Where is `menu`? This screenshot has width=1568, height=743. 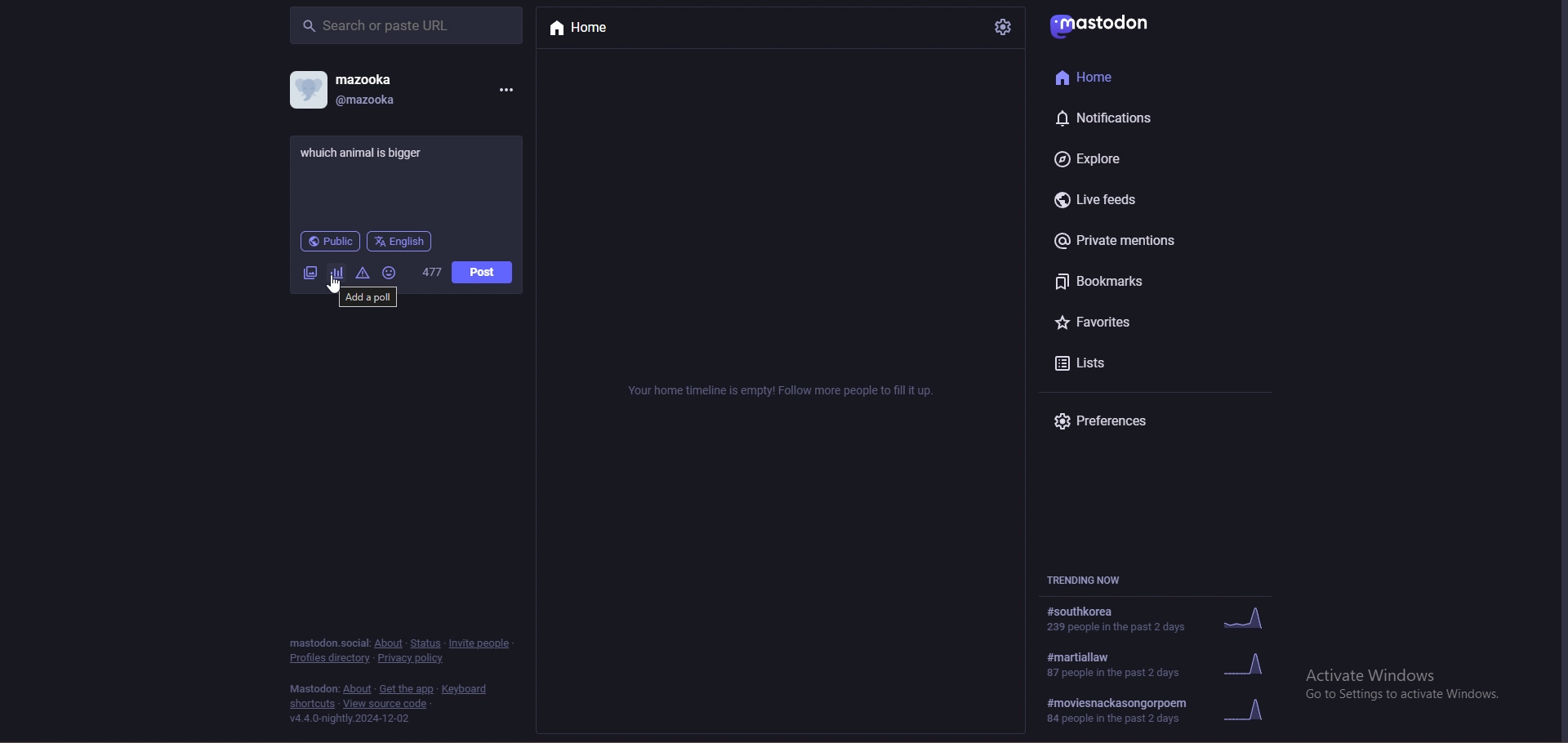
menu is located at coordinates (506, 88).